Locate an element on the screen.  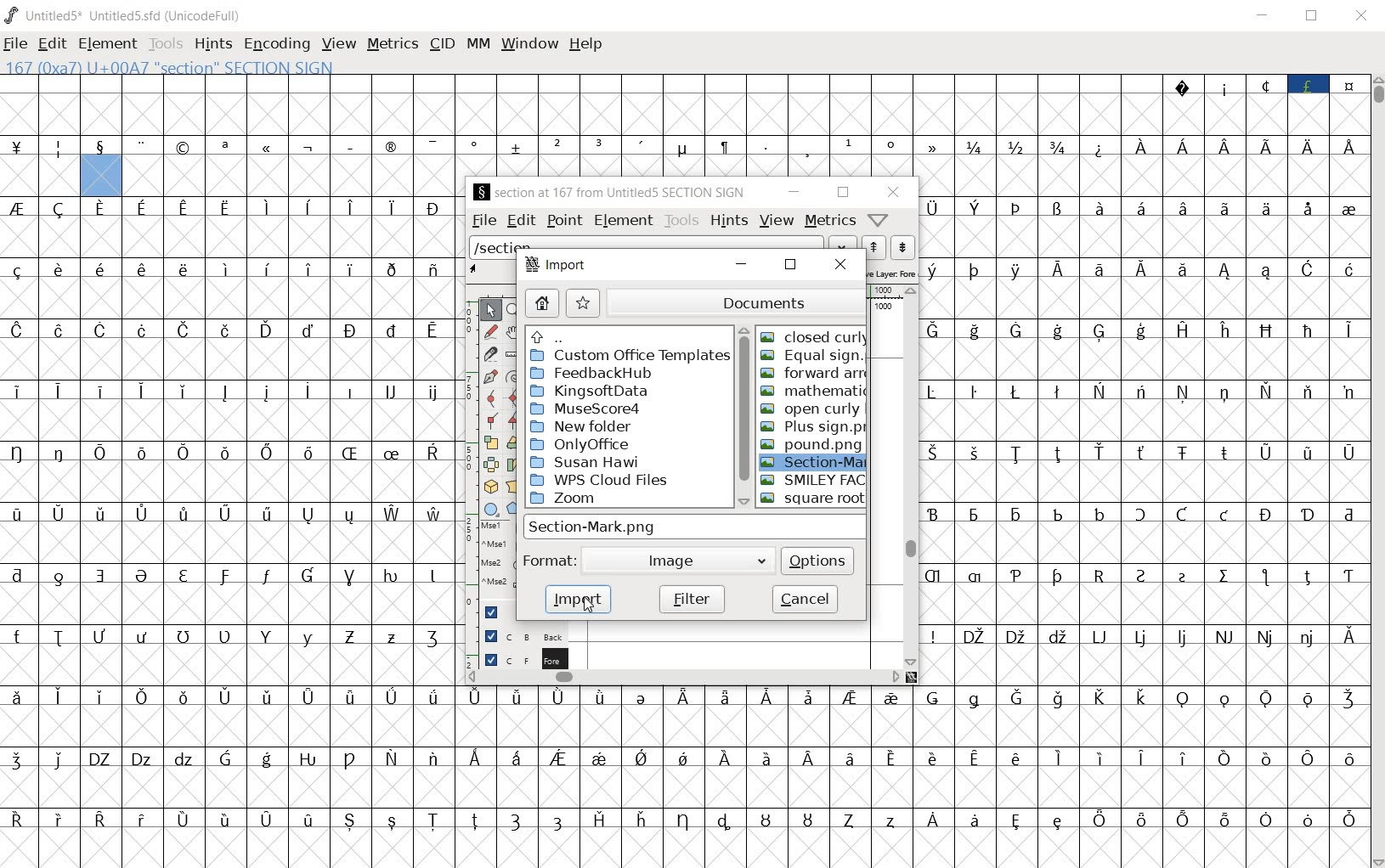
empty cells is located at coordinates (229, 482).